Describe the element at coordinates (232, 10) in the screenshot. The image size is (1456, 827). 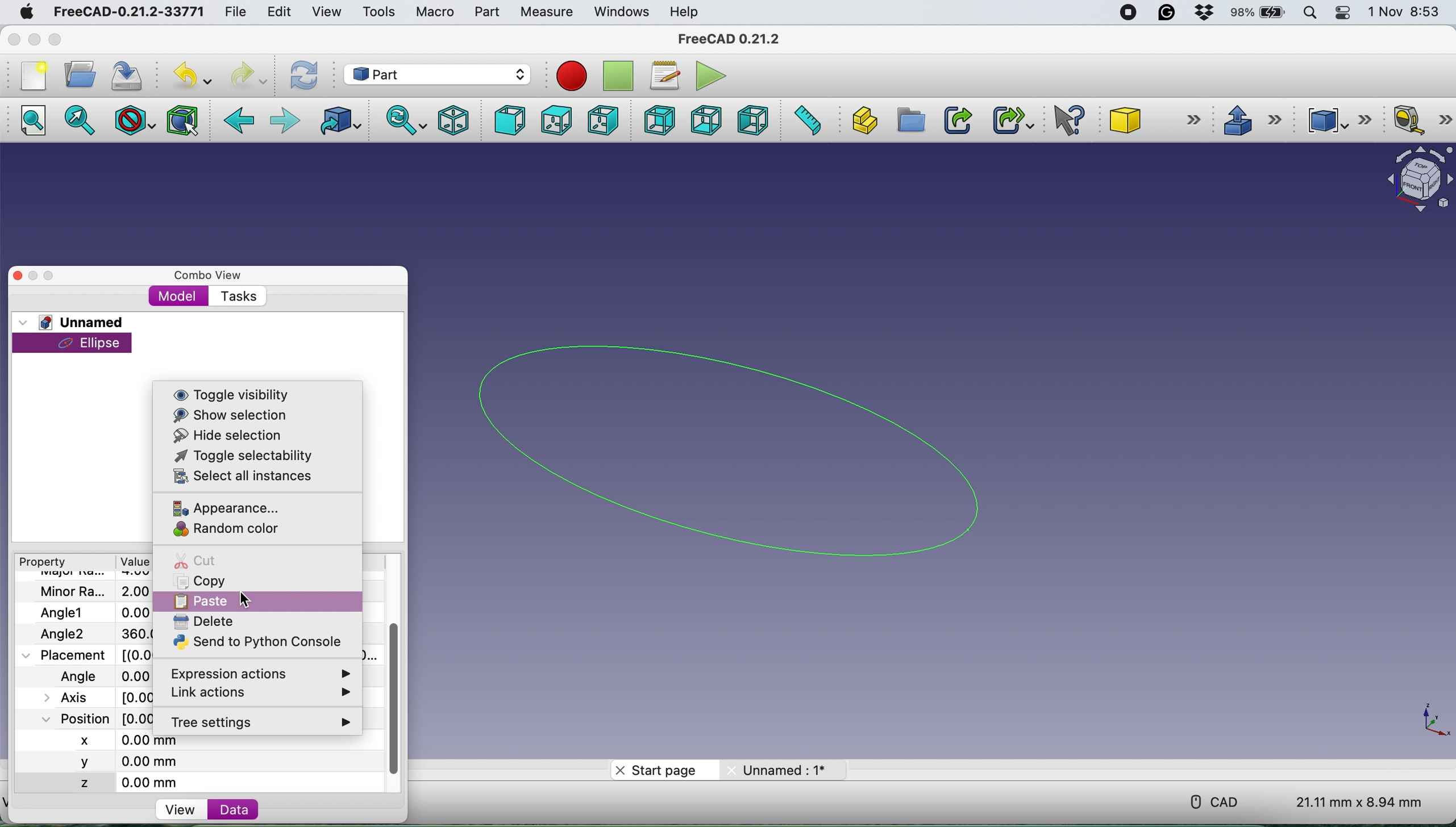
I see `file` at that location.